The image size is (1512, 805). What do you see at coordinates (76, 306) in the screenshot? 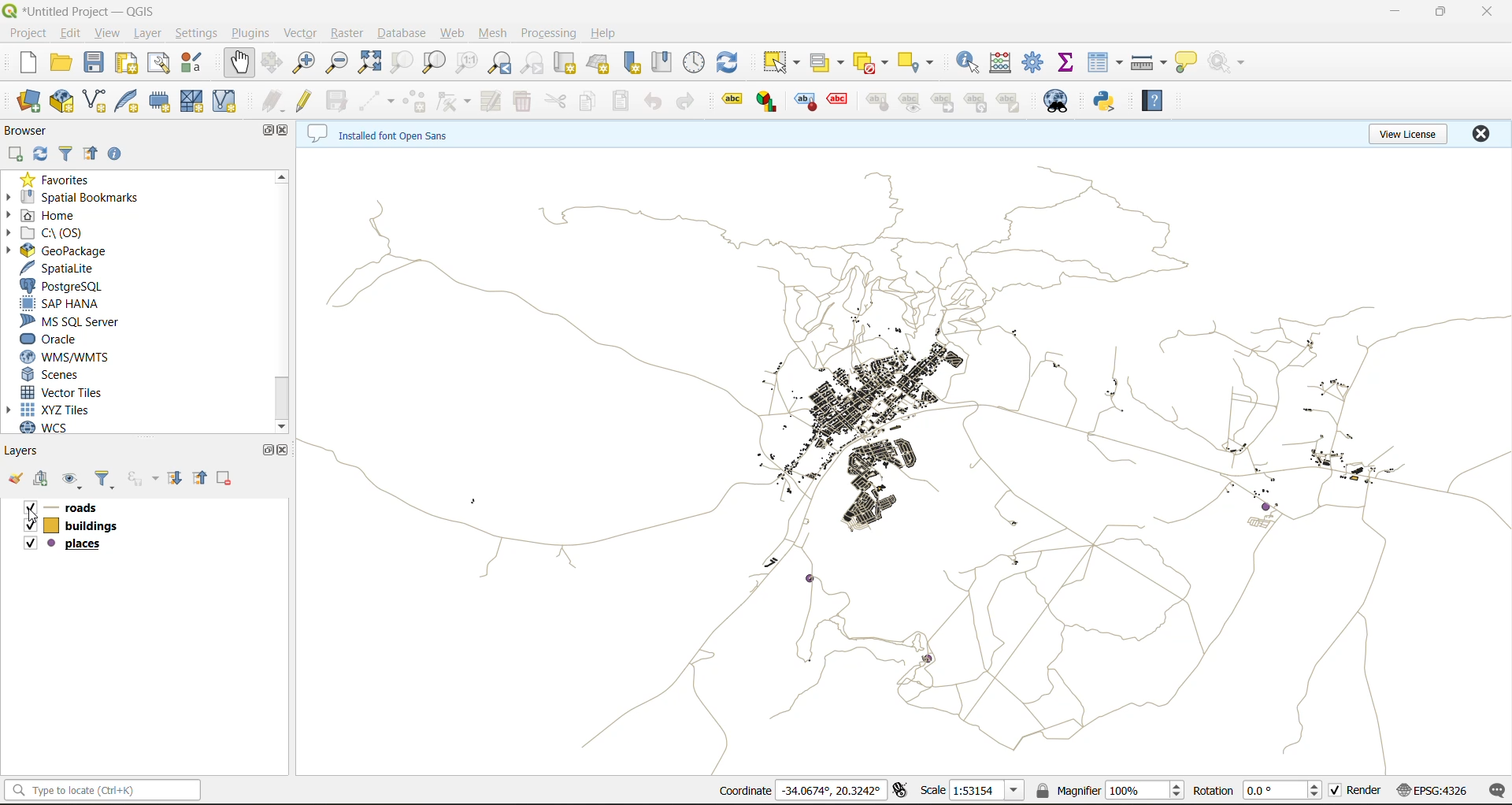
I see `sap hana` at bounding box center [76, 306].